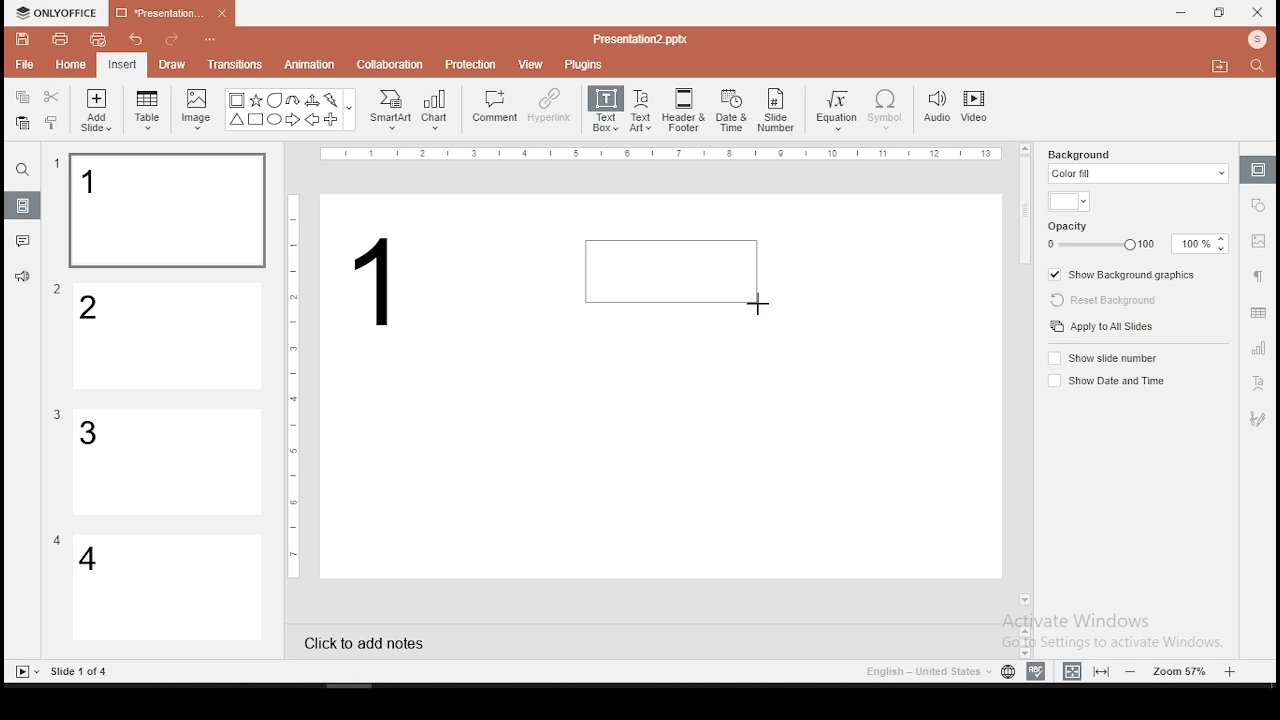  I want to click on Trianlge, so click(236, 120).